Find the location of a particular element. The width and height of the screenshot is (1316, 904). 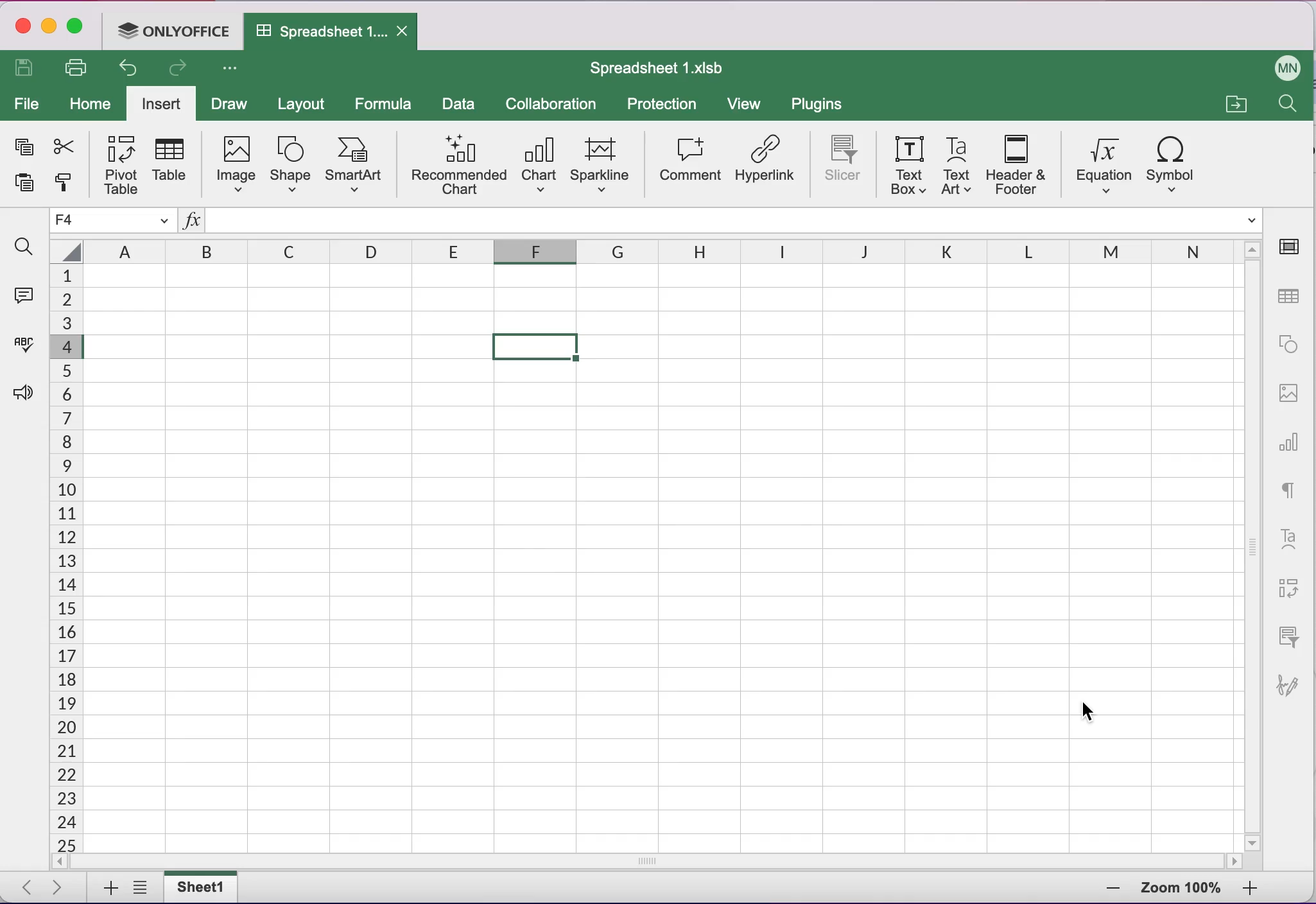

paste is located at coordinates (24, 186).